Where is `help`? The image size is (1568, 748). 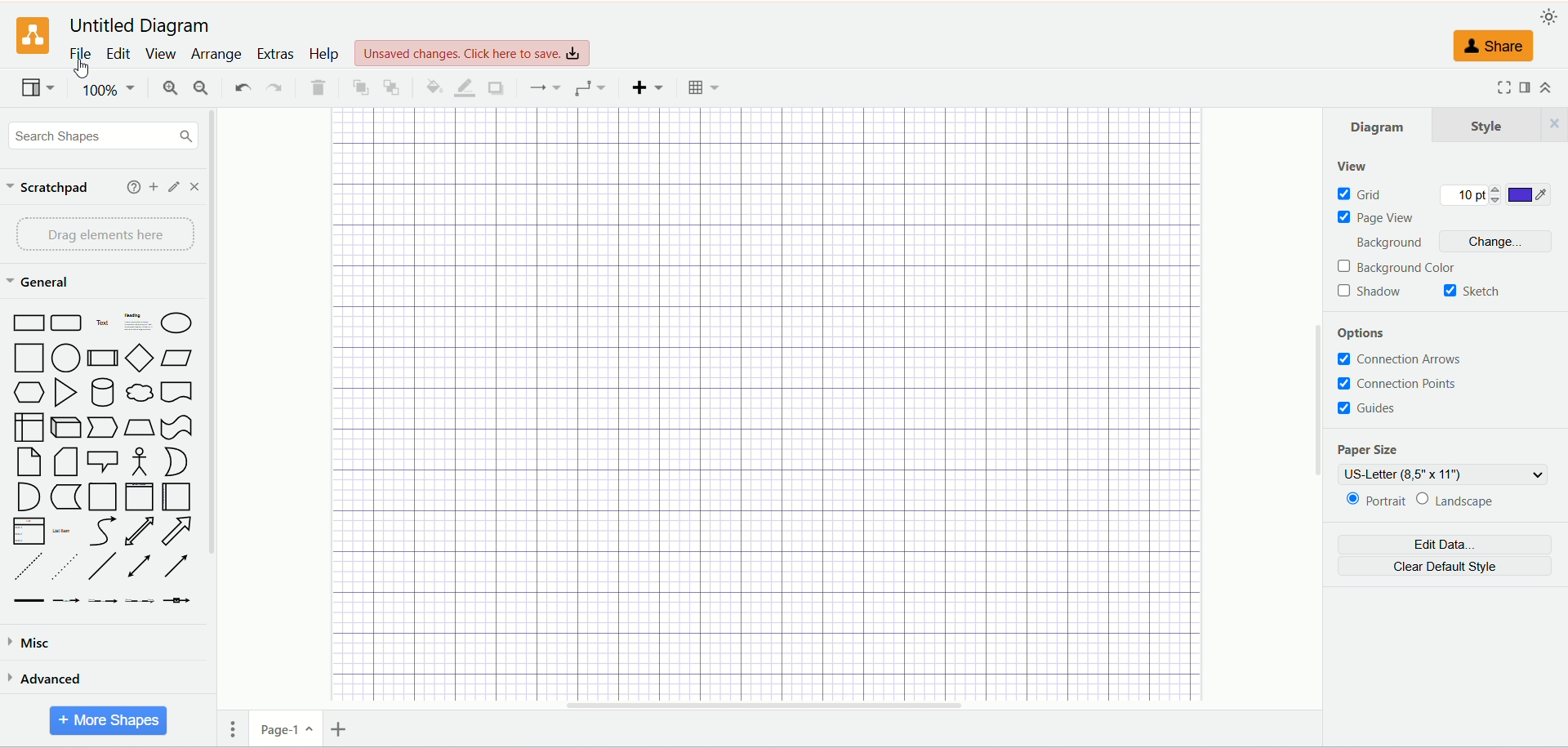 help is located at coordinates (324, 54).